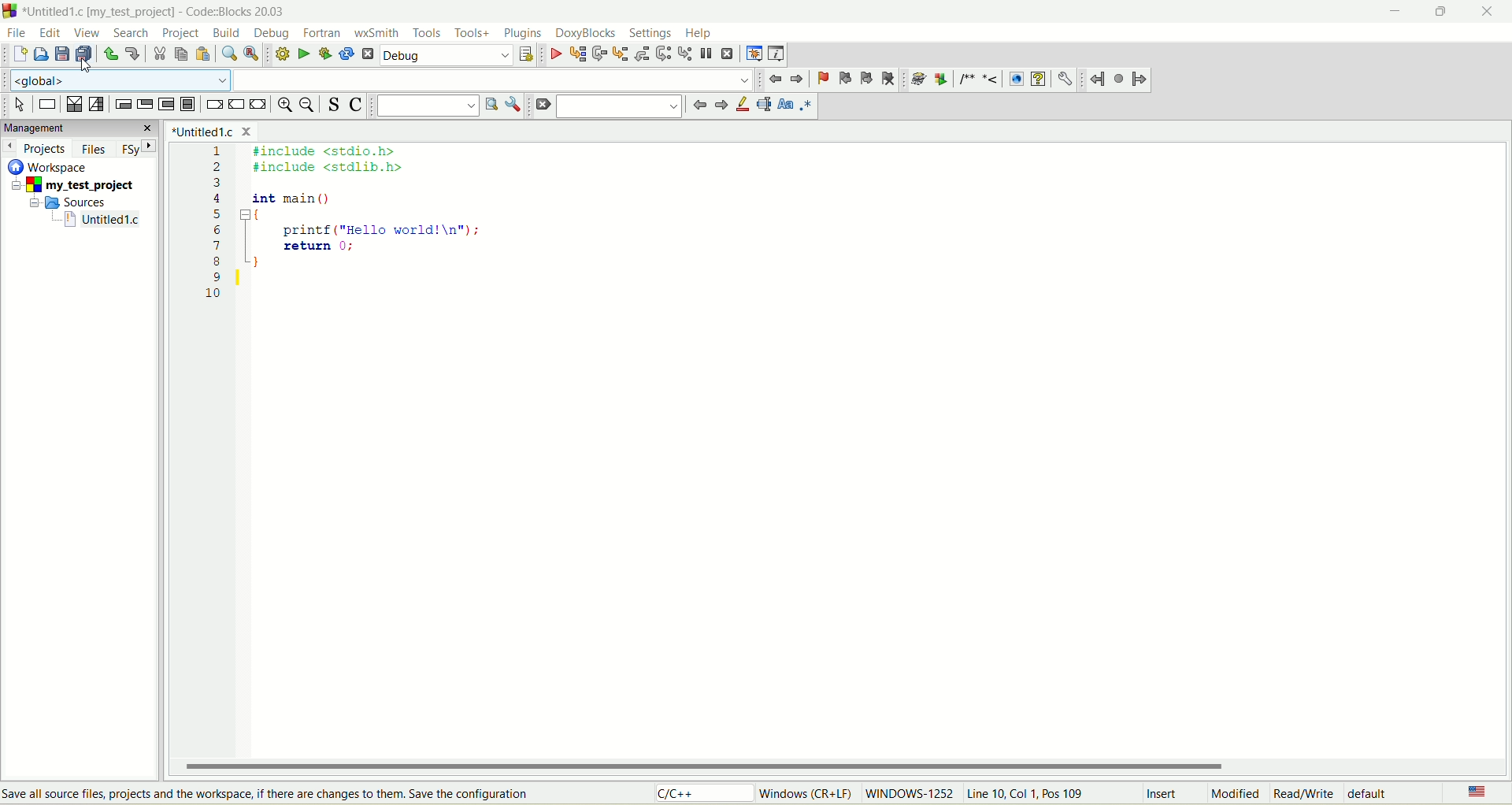  Describe the element at coordinates (128, 33) in the screenshot. I see `search` at that location.